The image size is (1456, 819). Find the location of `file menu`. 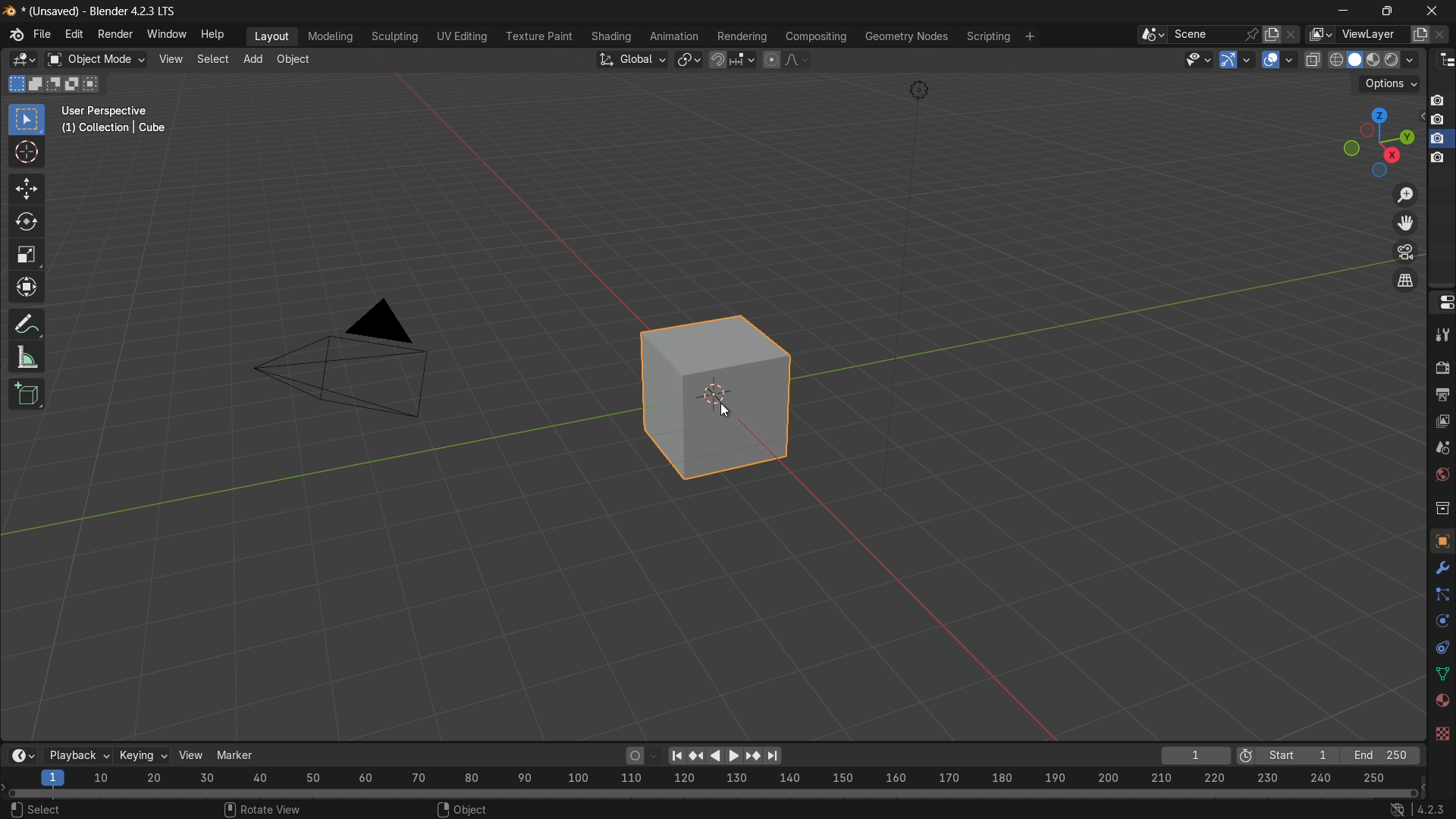

file menu is located at coordinates (42, 33).